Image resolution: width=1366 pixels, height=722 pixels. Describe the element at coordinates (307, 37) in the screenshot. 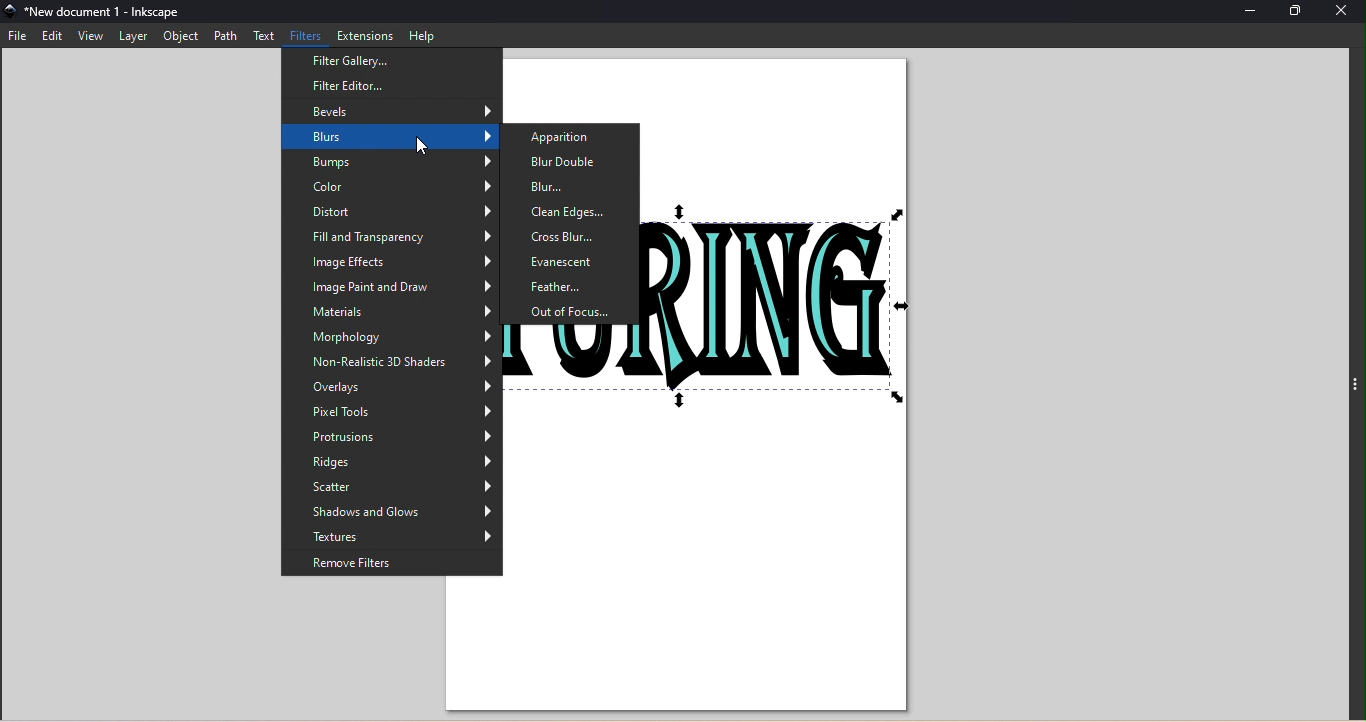

I see `Filters` at that location.